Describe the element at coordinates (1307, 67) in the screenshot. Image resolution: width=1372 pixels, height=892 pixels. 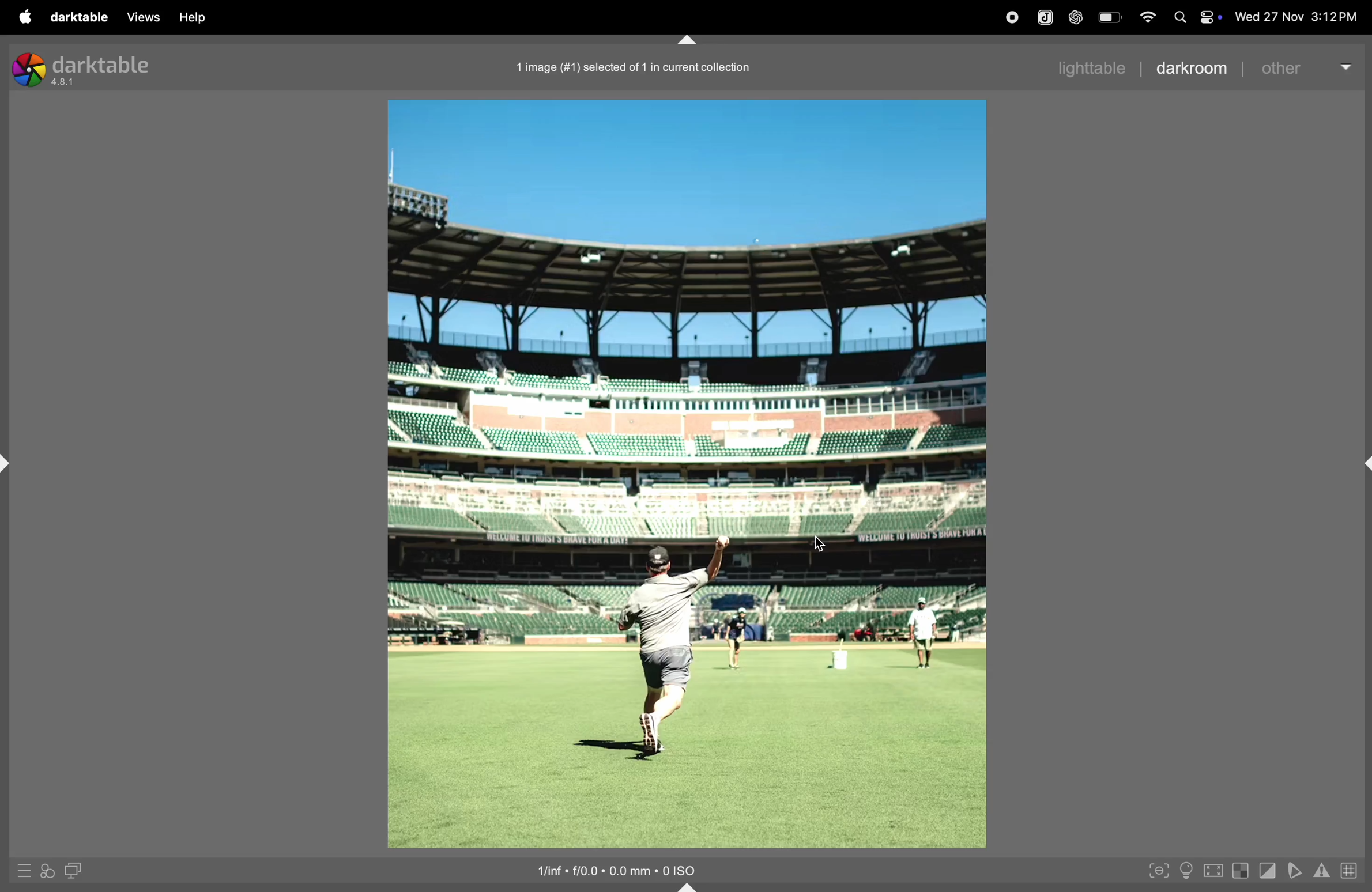
I see `other` at that location.